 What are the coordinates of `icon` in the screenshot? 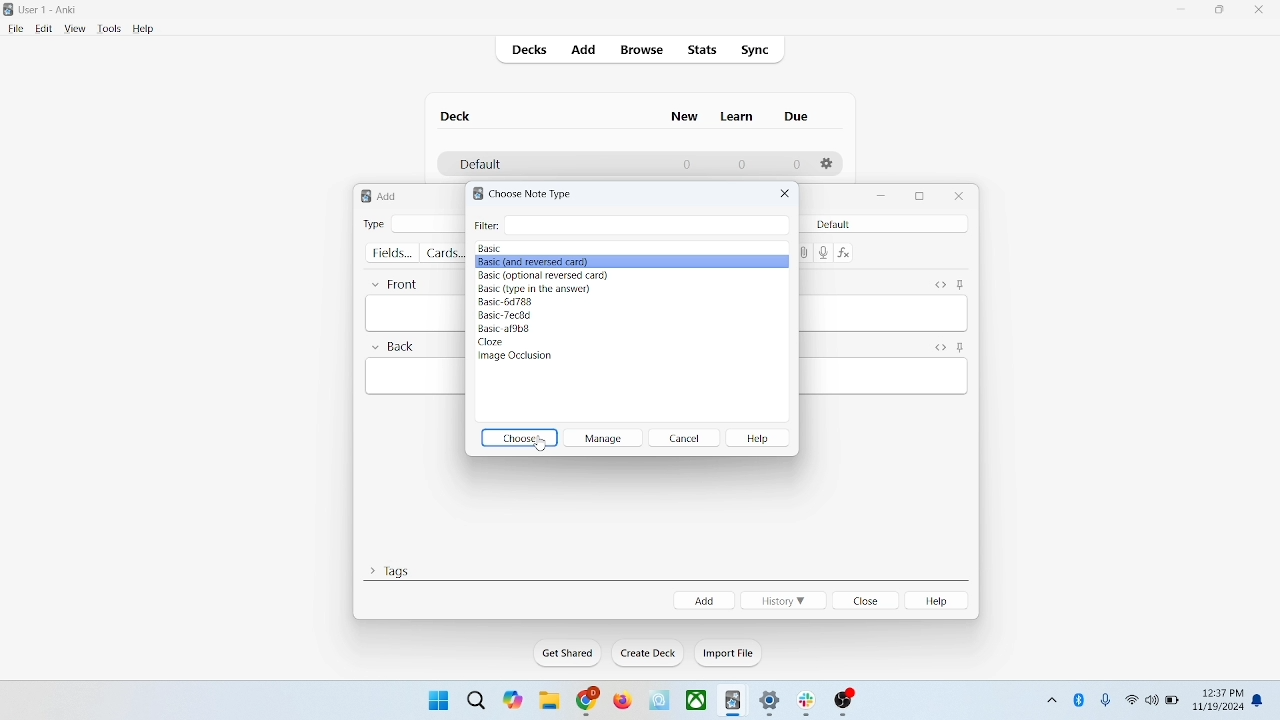 It's located at (845, 703).